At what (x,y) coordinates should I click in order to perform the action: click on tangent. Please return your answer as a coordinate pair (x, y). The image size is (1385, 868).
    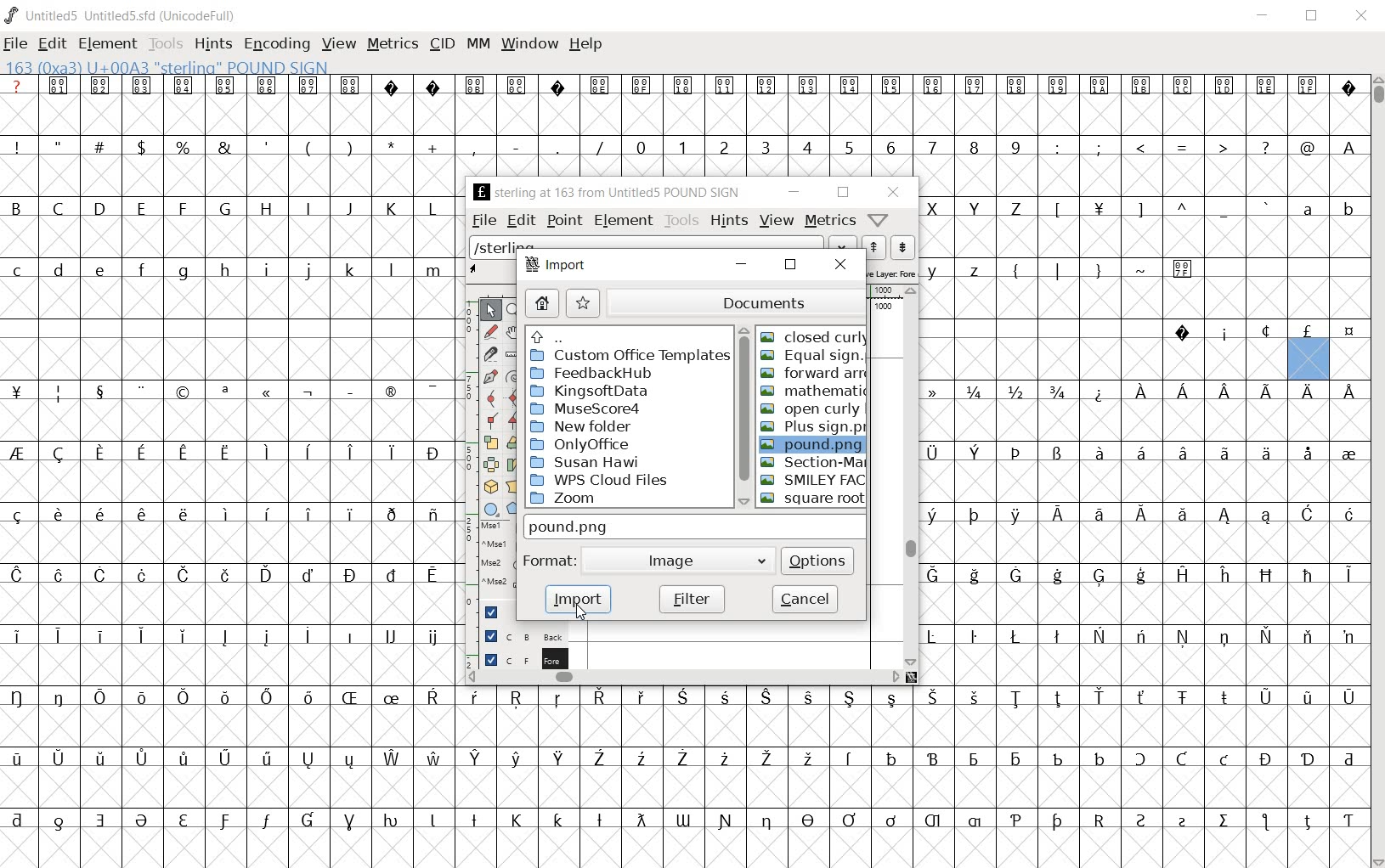
    Looking at the image, I should click on (516, 421).